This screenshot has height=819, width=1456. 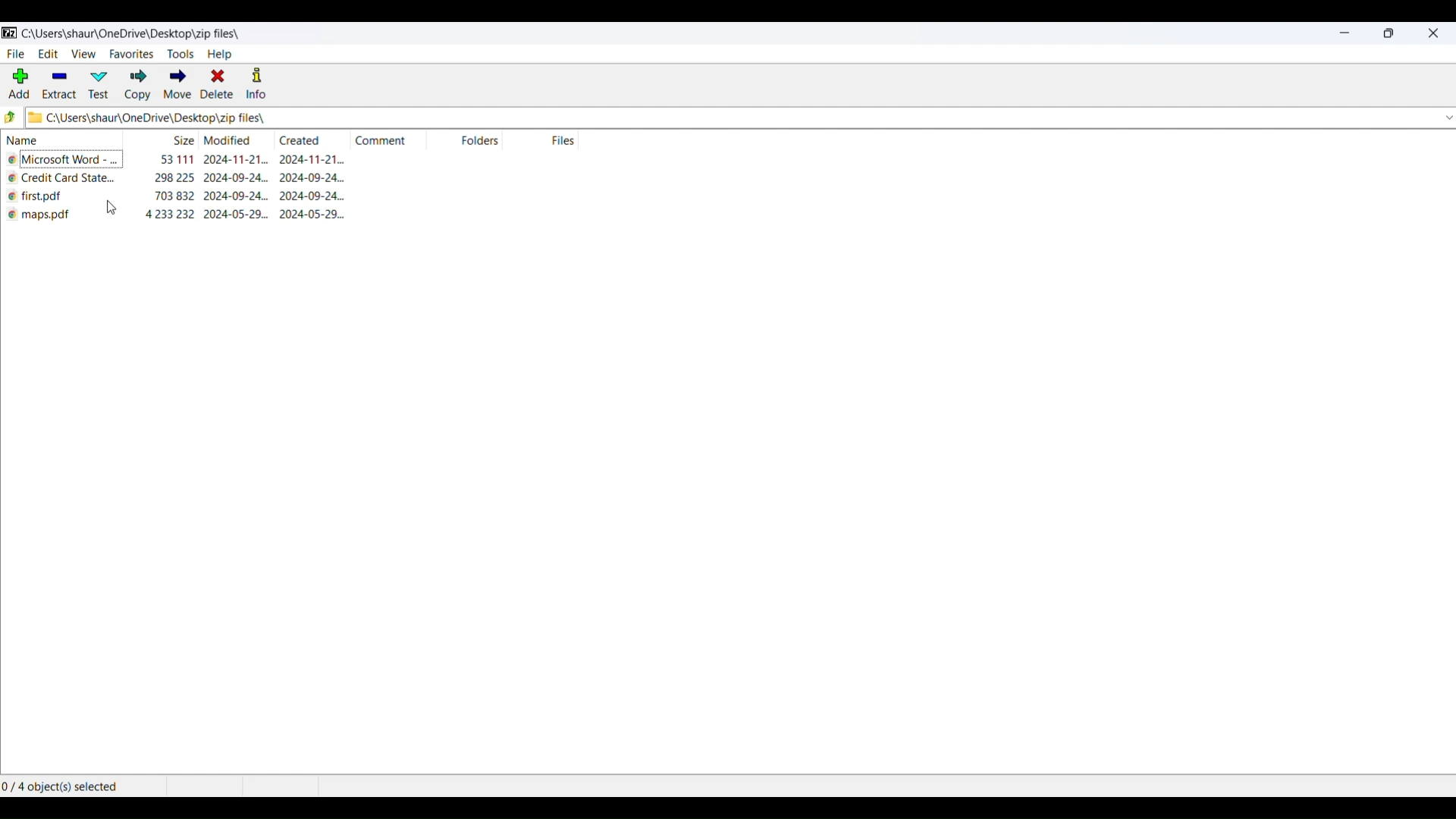 I want to click on file size, so click(x=171, y=215).